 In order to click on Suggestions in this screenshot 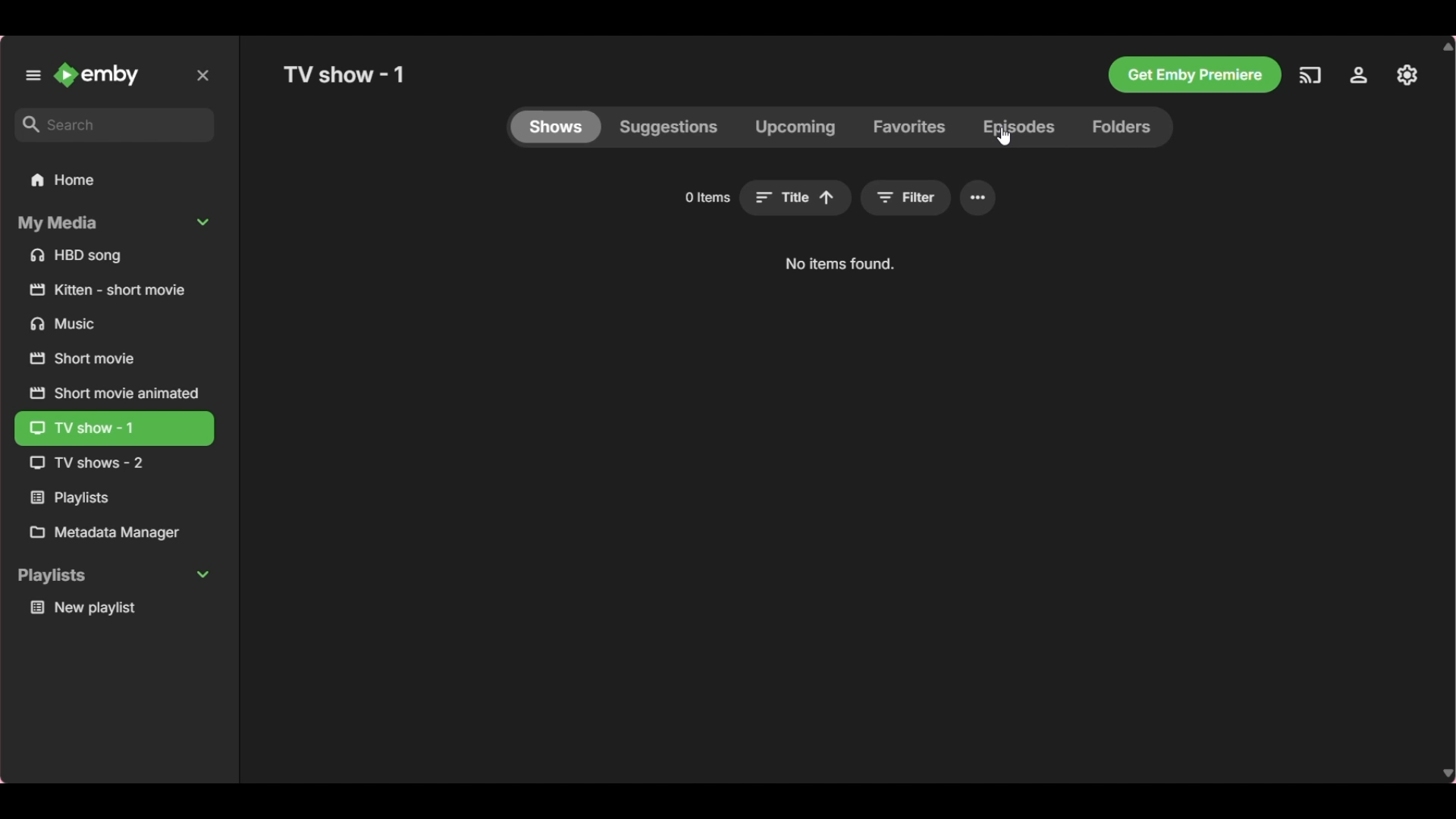, I will do `click(669, 127)`.